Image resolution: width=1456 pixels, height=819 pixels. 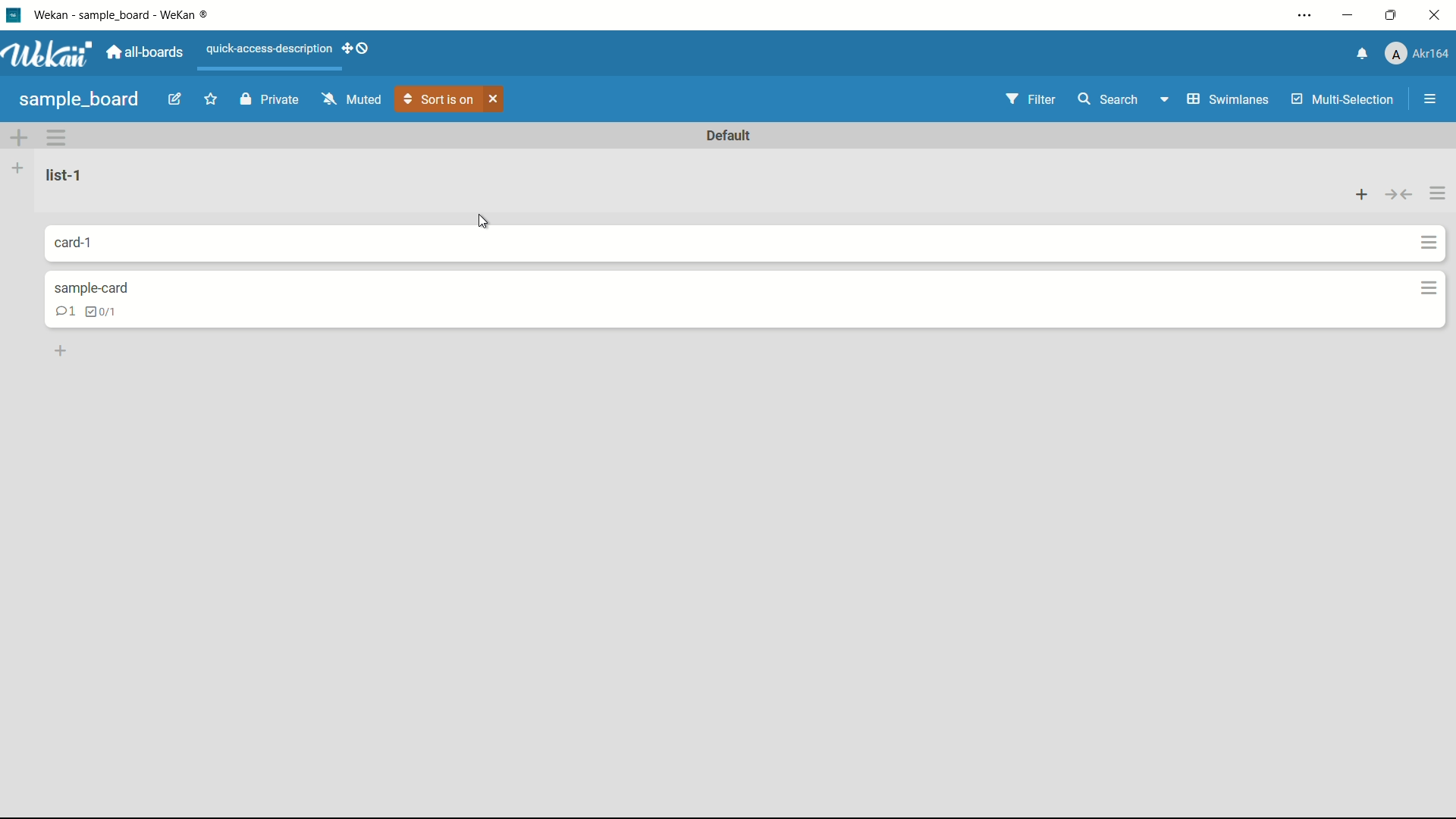 I want to click on add list, so click(x=20, y=168).